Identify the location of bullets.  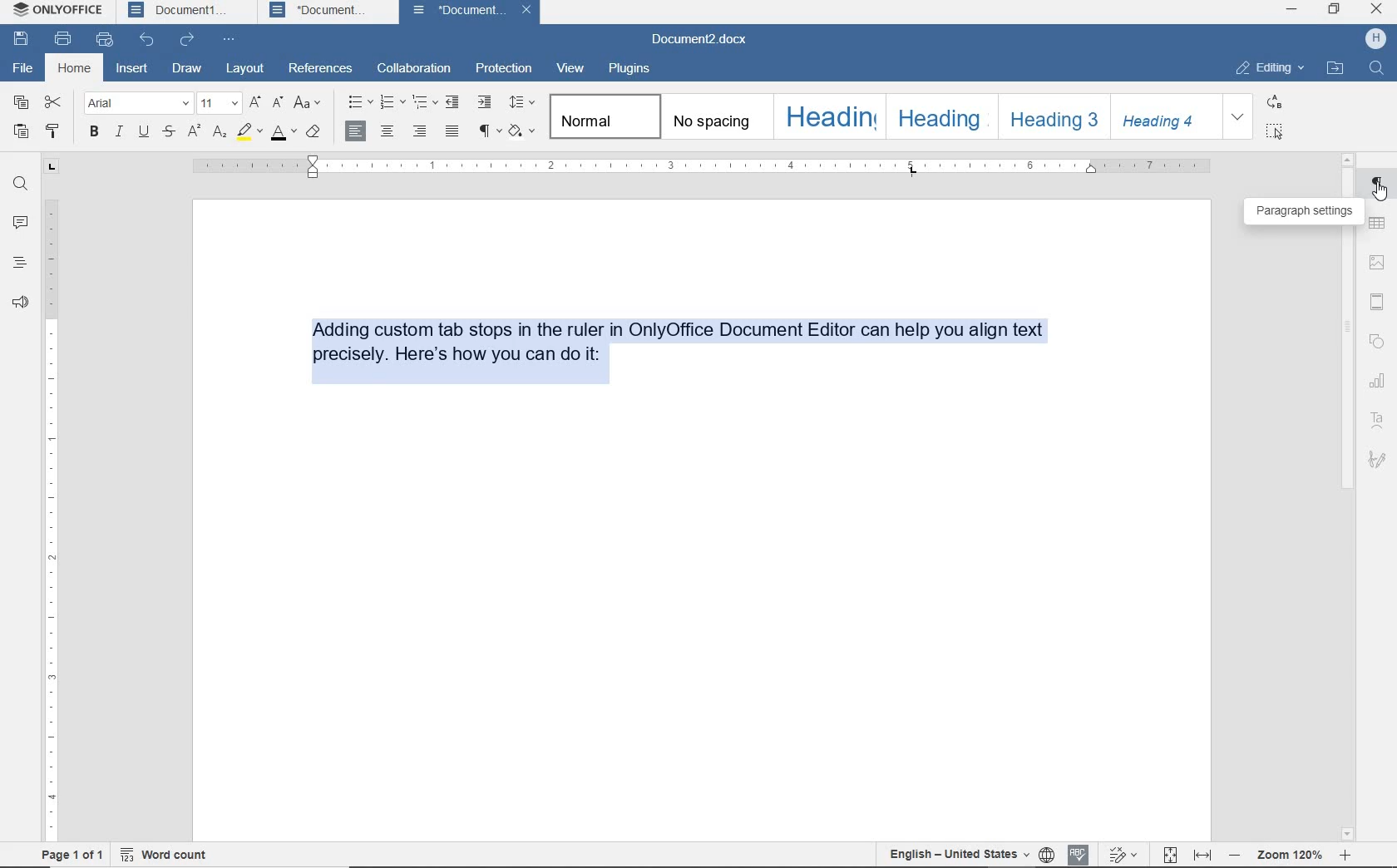
(358, 101).